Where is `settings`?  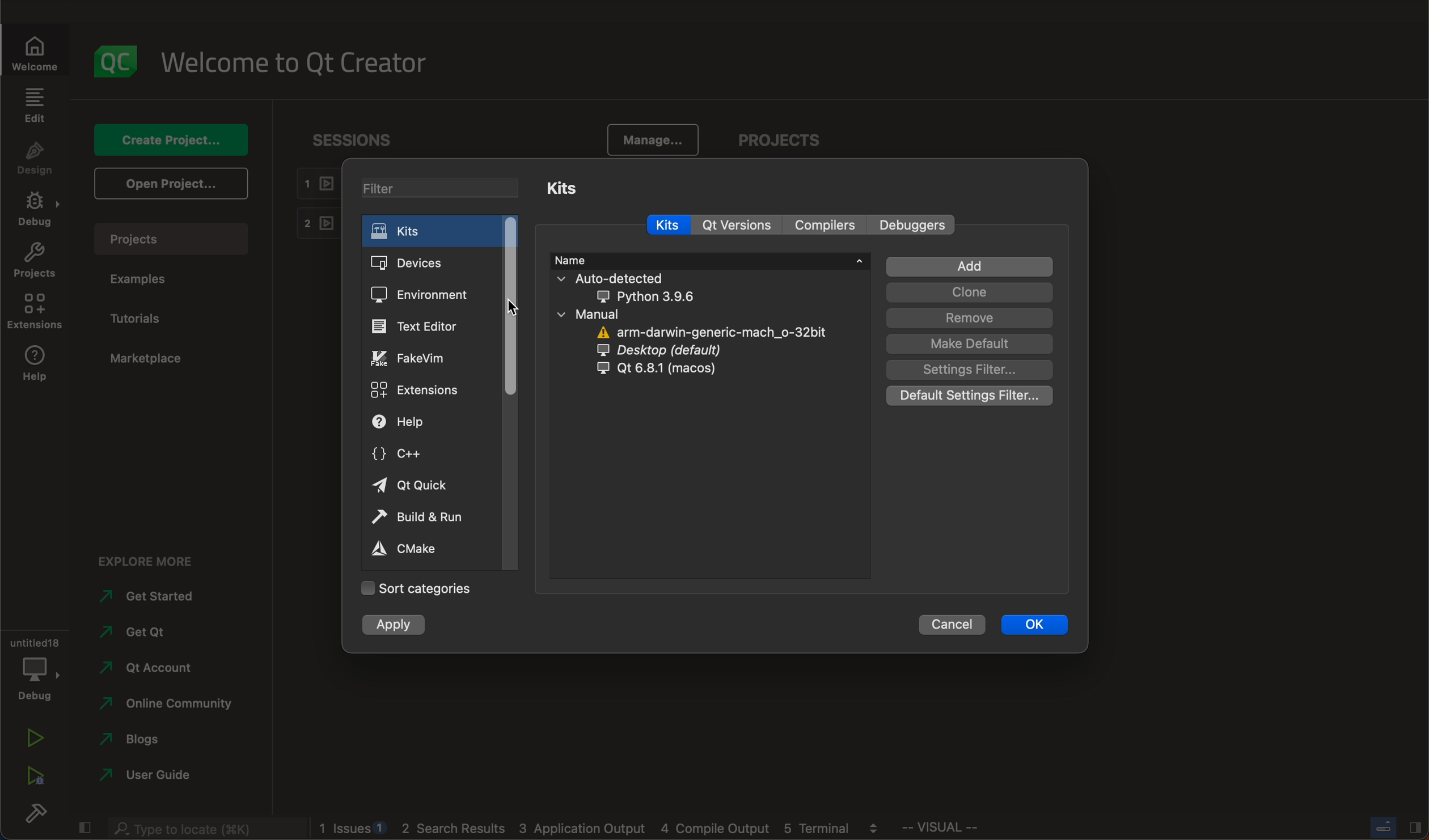
settings is located at coordinates (973, 369).